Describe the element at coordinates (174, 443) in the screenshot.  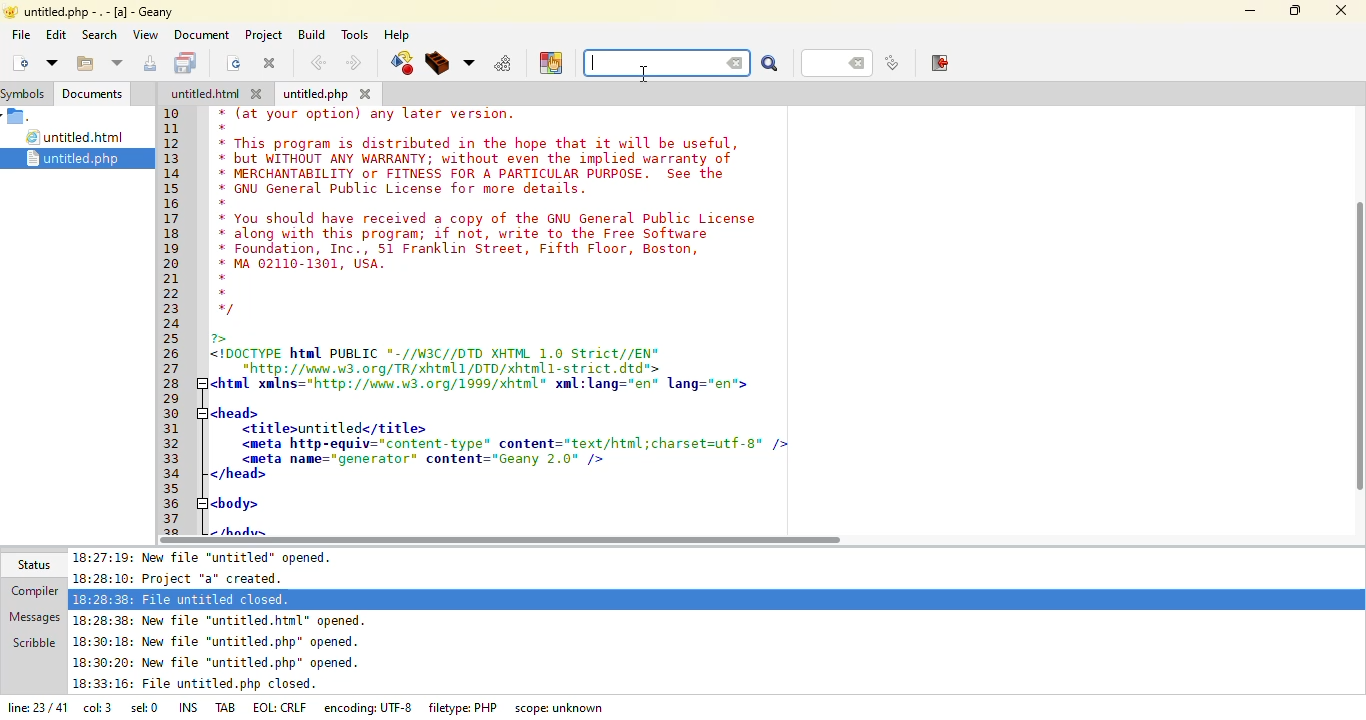
I see `32` at that location.